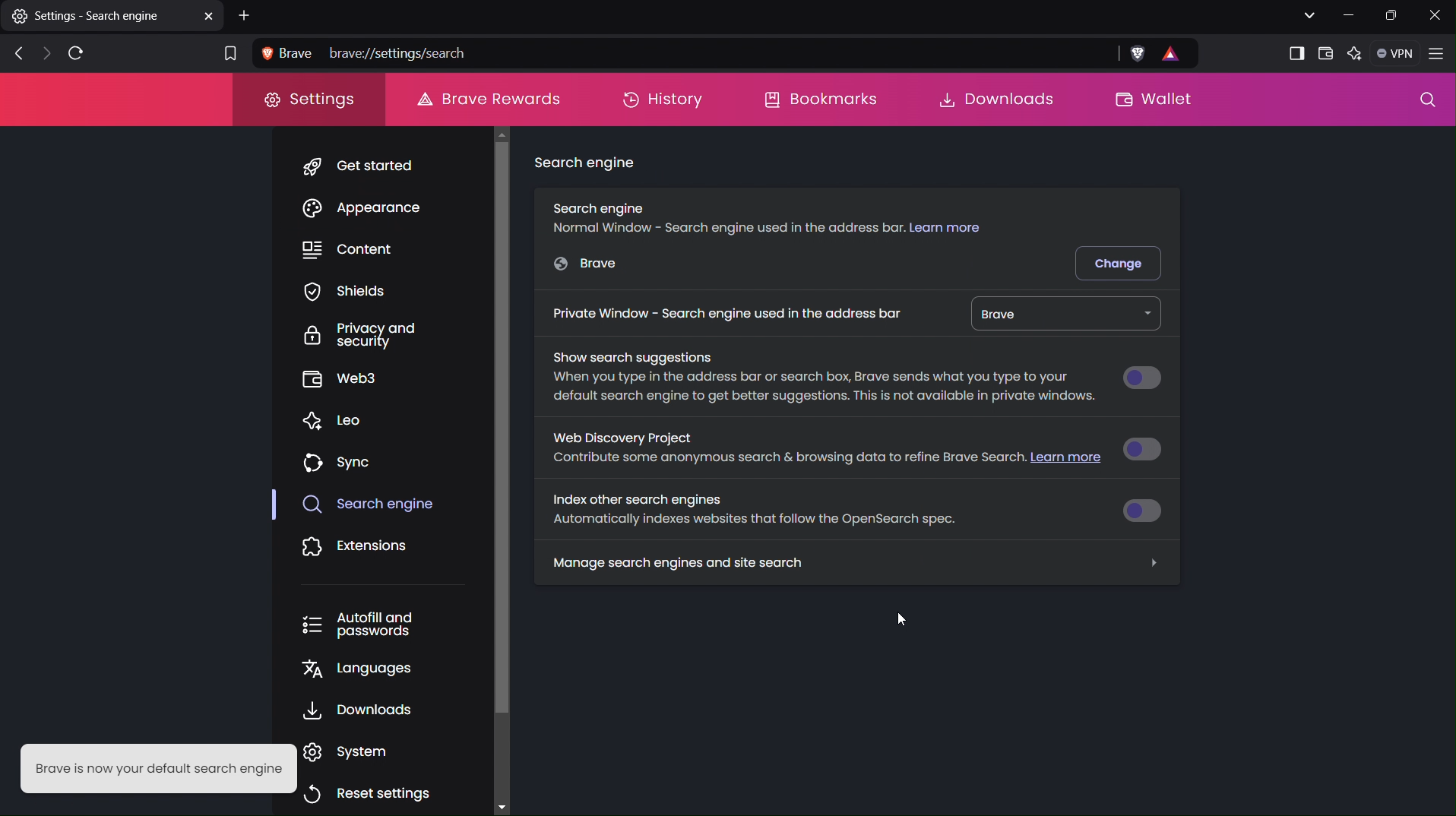  What do you see at coordinates (372, 211) in the screenshot?
I see `Appearance` at bounding box center [372, 211].